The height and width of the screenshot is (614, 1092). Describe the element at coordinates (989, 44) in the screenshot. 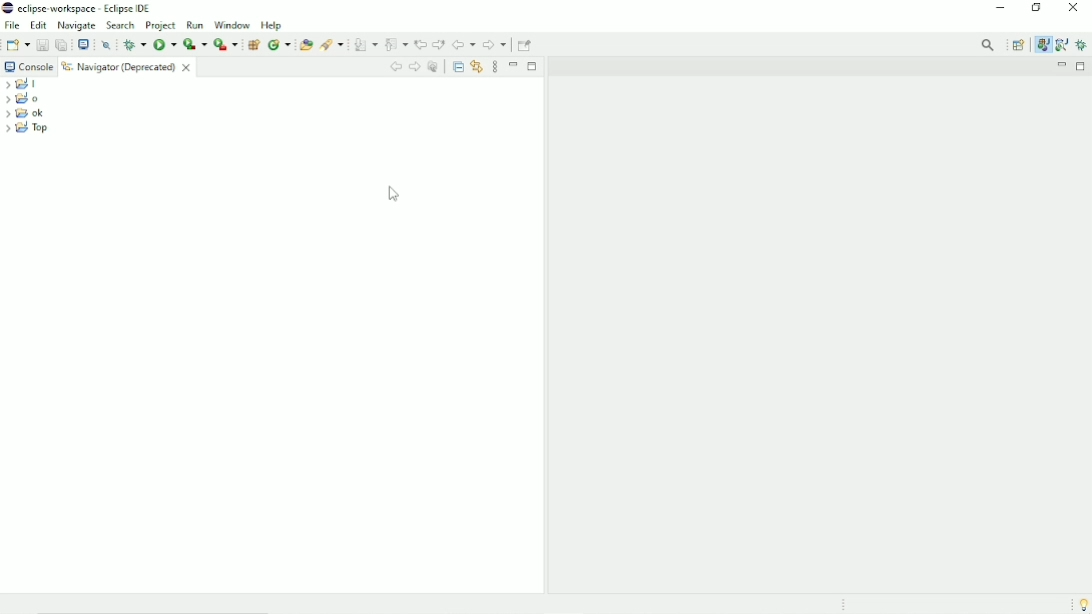

I see `Access commands and other items` at that location.